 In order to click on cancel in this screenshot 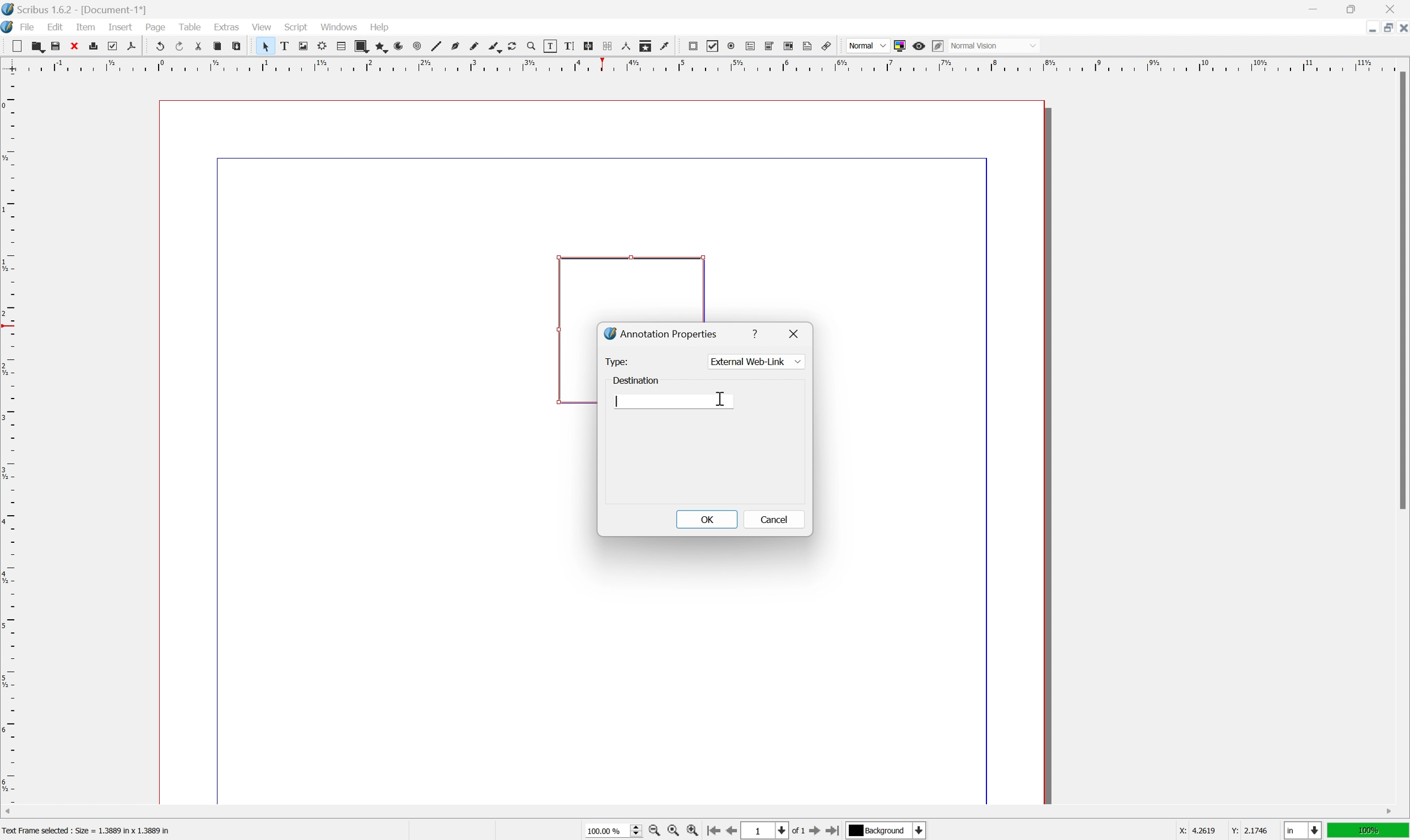, I will do `click(772, 520)`.